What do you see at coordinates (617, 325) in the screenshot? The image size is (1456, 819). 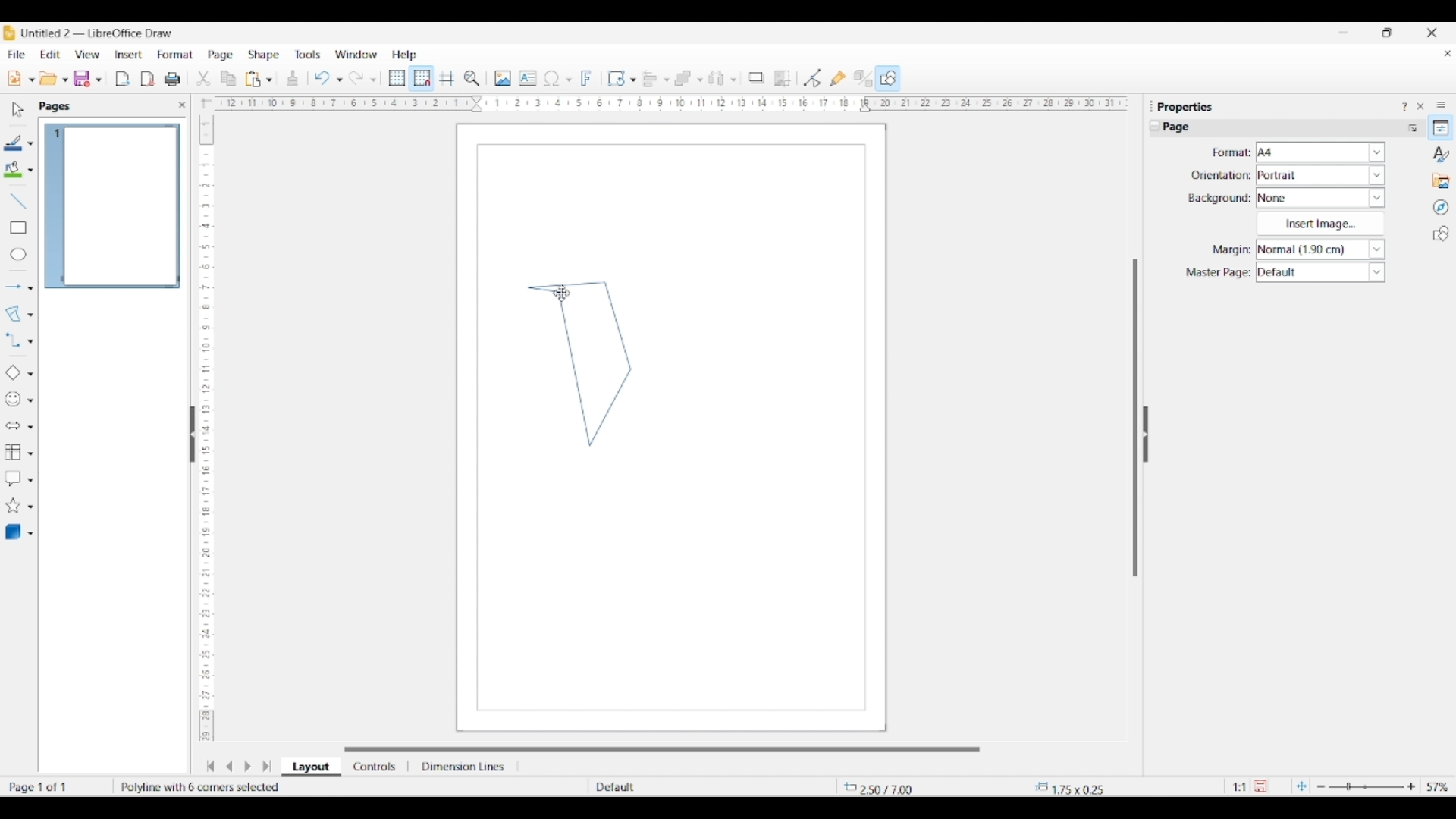 I see `Line 3` at bounding box center [617, 325].